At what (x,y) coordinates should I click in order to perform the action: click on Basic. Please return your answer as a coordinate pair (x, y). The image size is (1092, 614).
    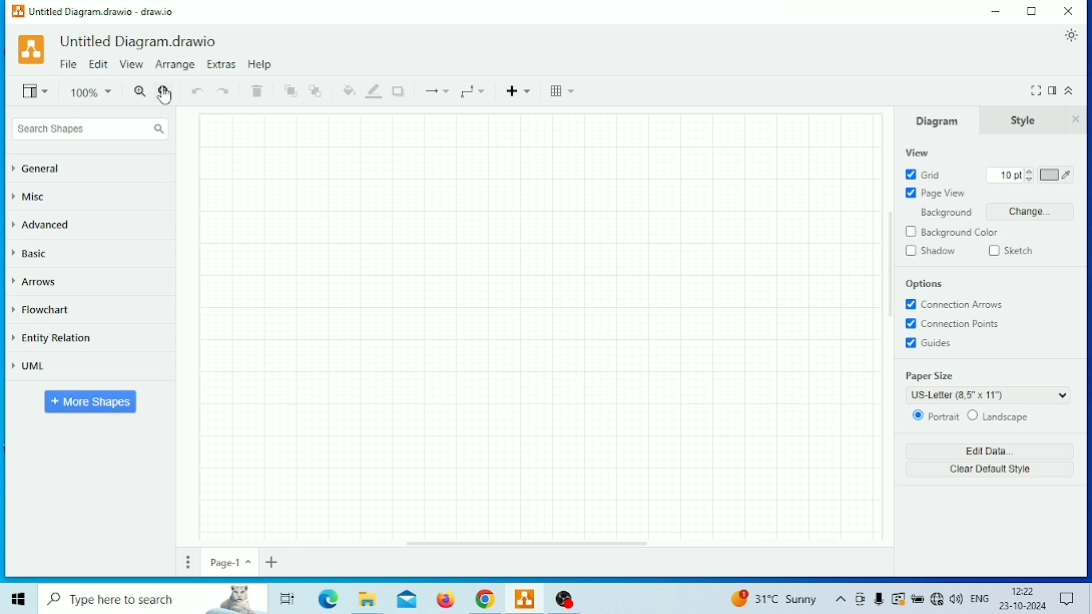
    Looking at the image, I should click on (32, 253).